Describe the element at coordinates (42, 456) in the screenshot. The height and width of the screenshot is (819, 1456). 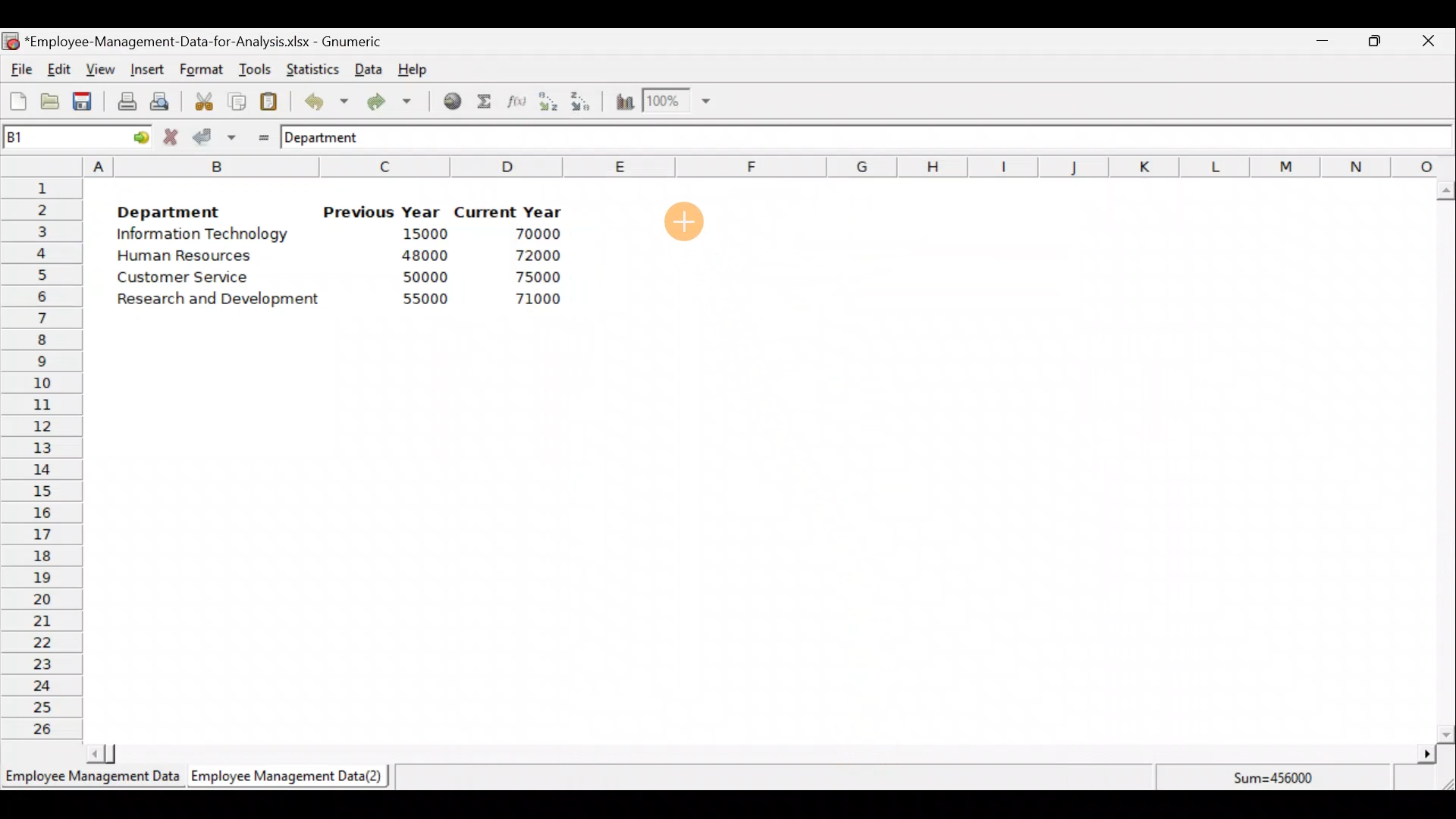
I see `Rows` at that location.